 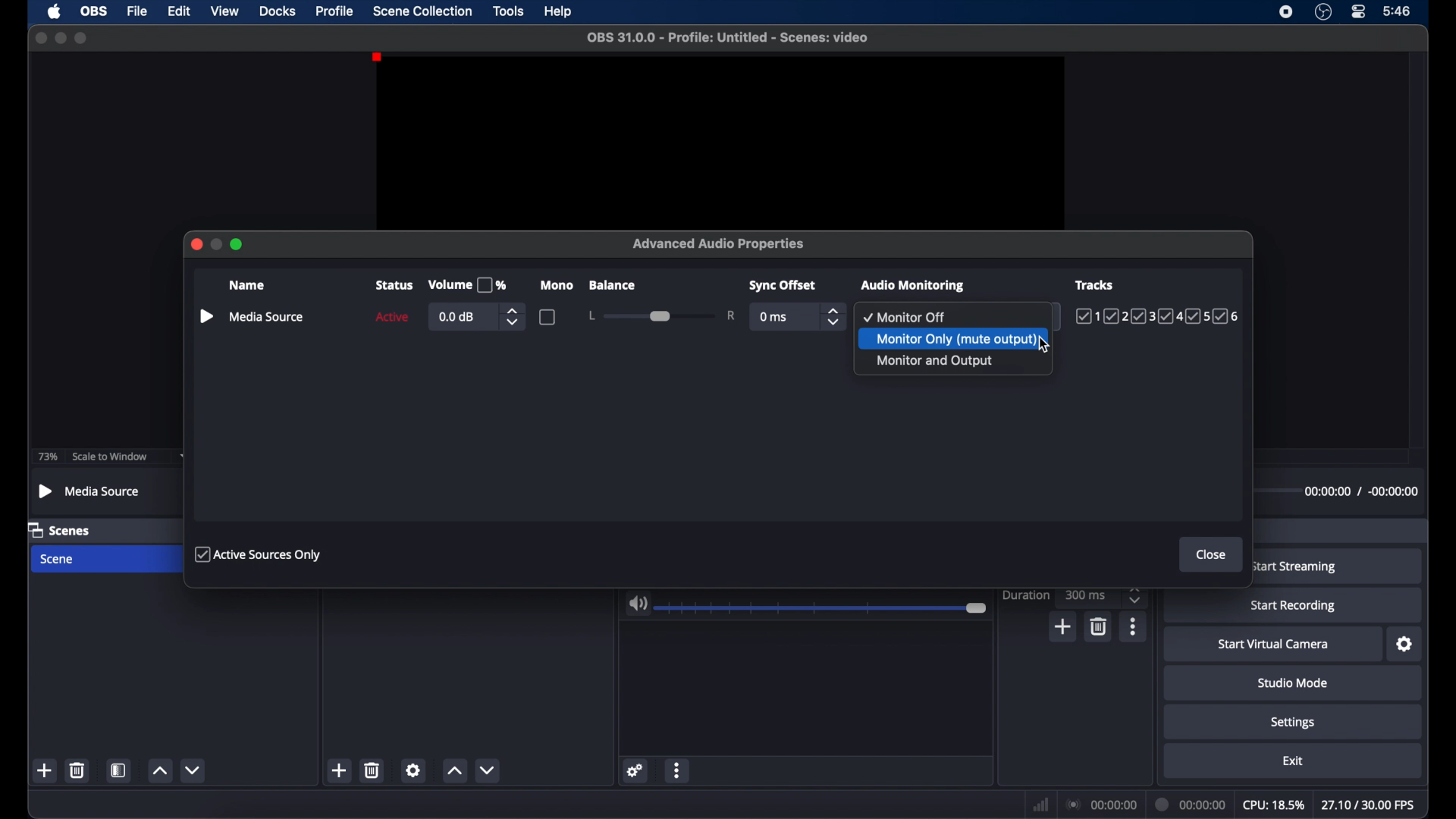 What do you see at coordinates (1295, 606) in the screenshot?
I see `start recording` at bounding box center [1295, 606].